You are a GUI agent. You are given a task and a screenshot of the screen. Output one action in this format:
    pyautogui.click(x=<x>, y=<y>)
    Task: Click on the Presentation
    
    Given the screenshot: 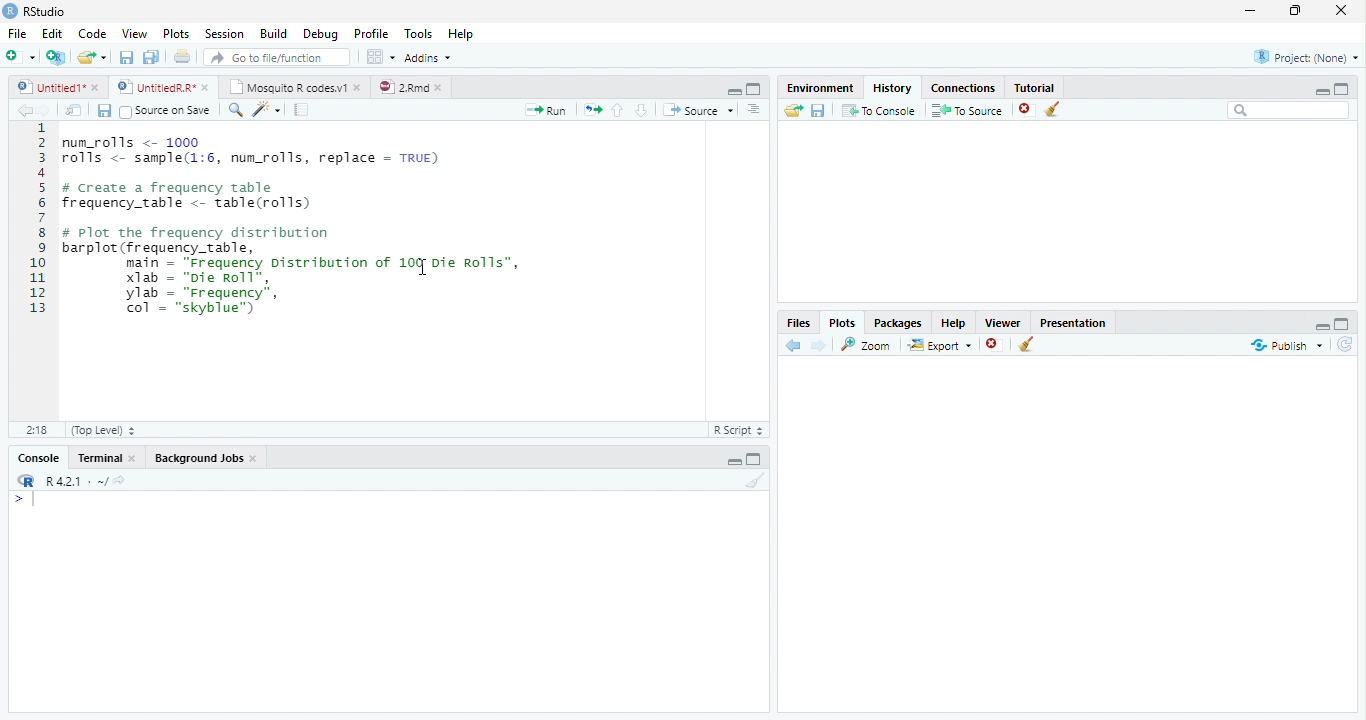 What is the action you would take?
    pyautogui.click(x=1073, y=322)
    